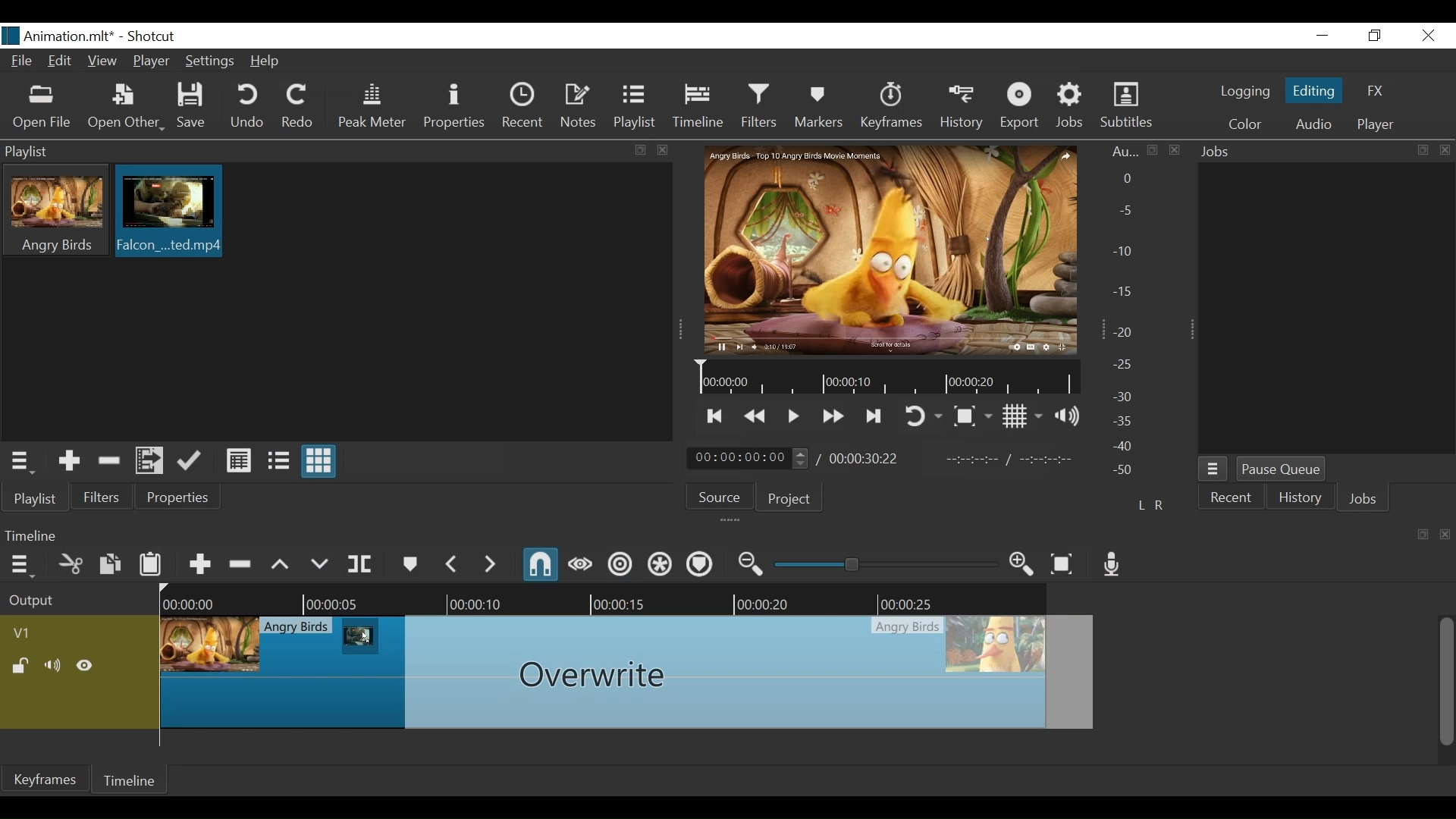 This screenshot has height=819, width=1456. Describe the element at coordinates (71, 563) in the screenshot. I see `Cut` at that location.